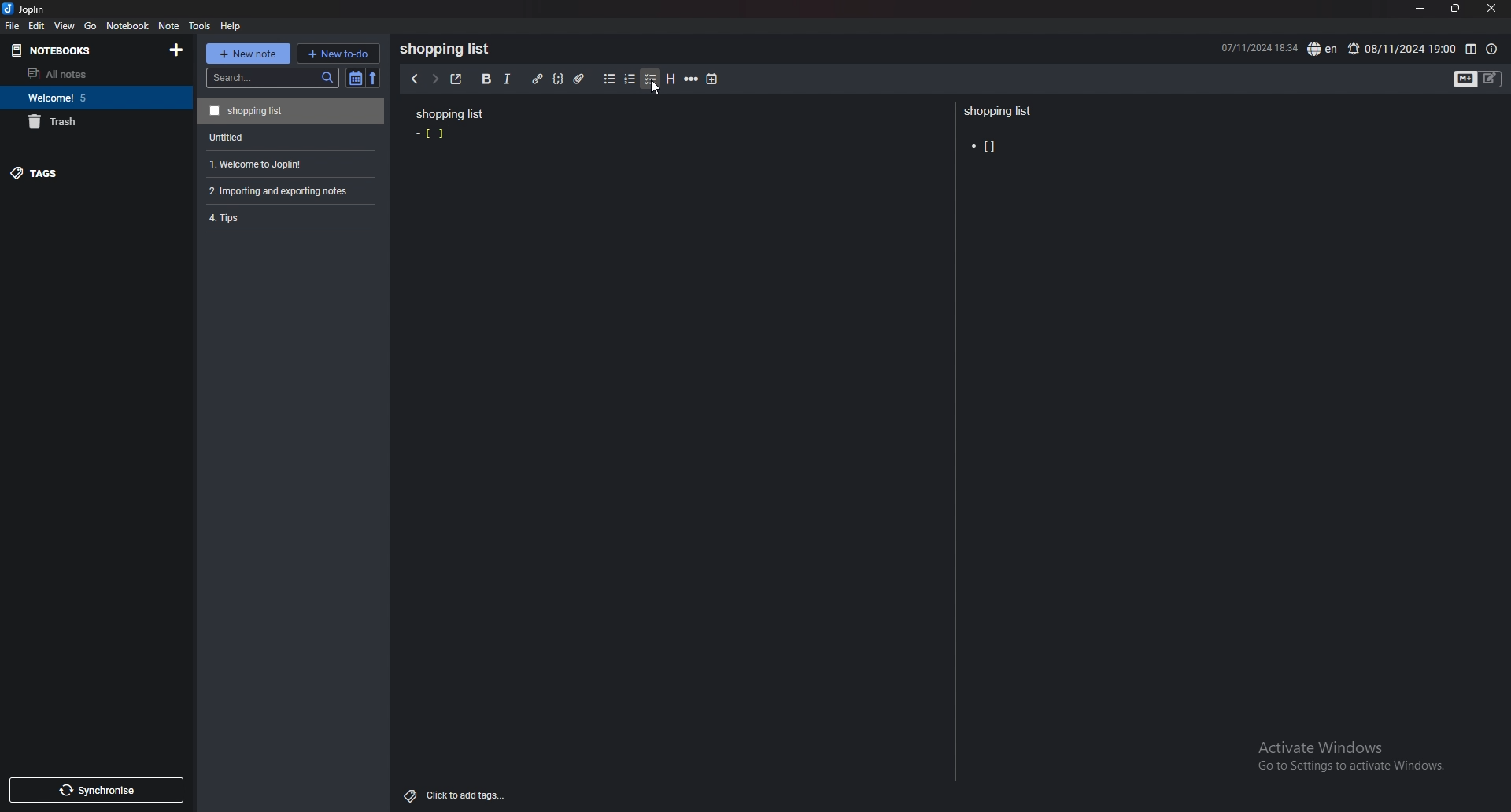  I want to click on add time, so click(713, 79).